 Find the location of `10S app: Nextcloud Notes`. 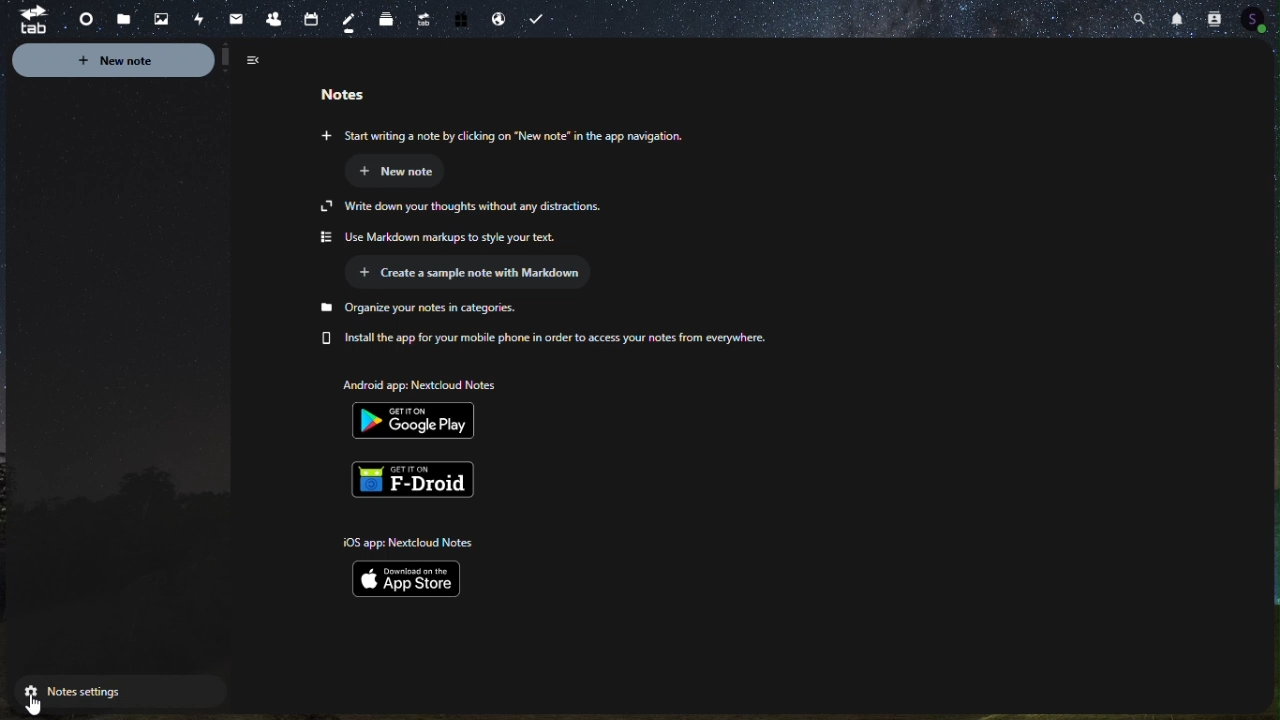

10S app: Nextcloud Notes is located at coordinates (408, 542).